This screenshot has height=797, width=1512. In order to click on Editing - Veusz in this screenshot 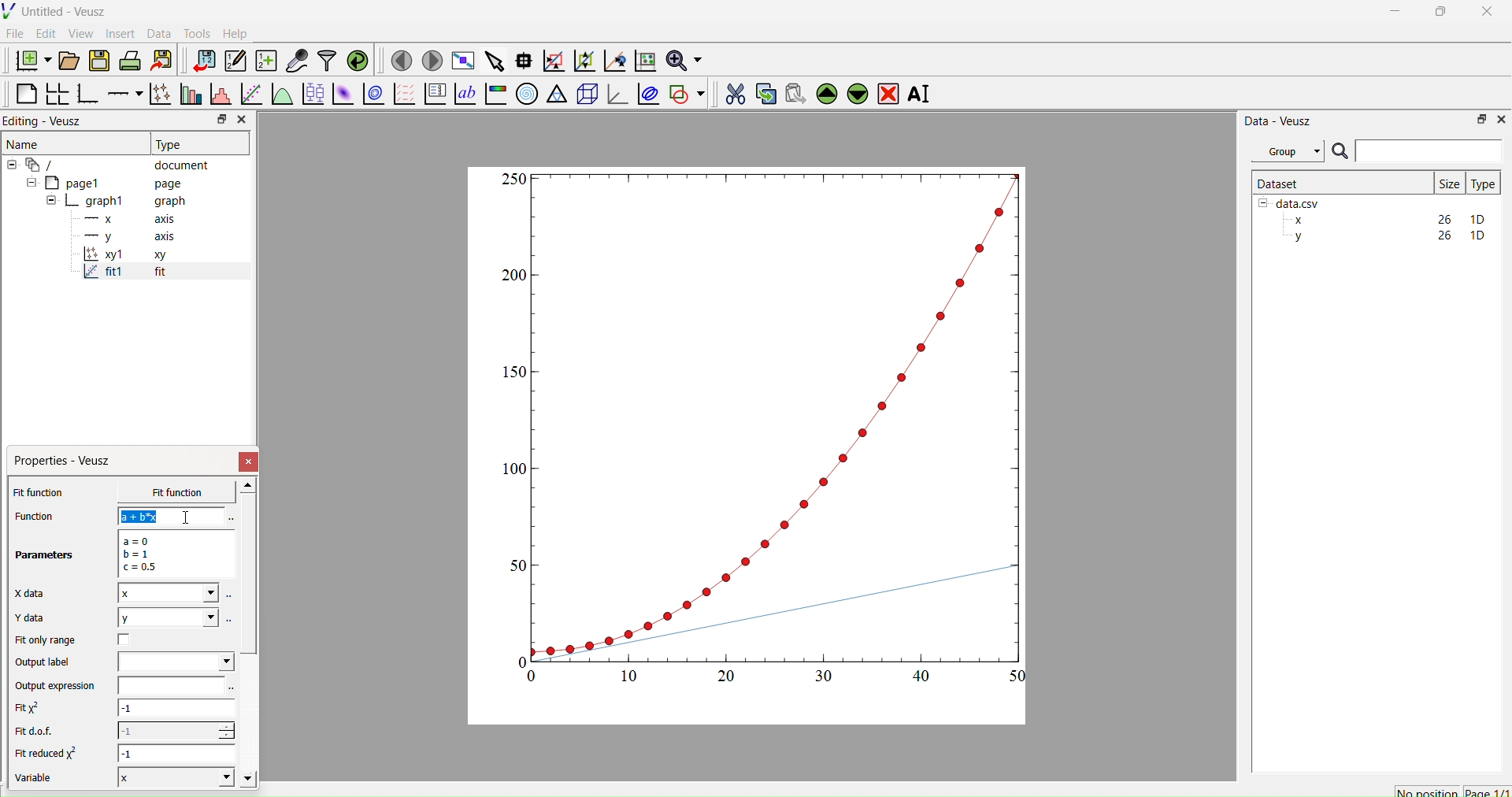, I will do `click(47, 120)`.